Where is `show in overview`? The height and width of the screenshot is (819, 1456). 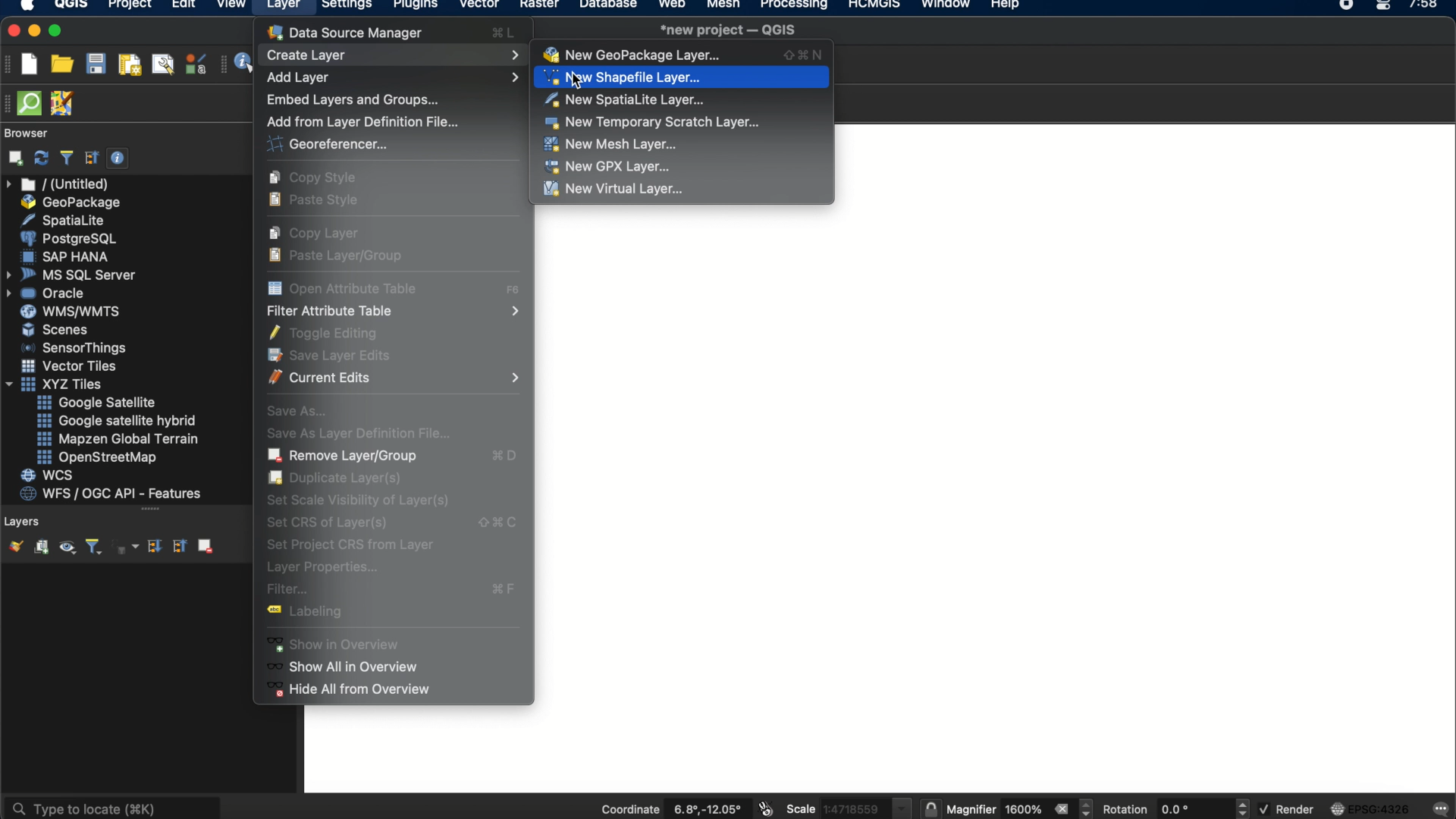
show in overview is located at coordinates (333, 645).